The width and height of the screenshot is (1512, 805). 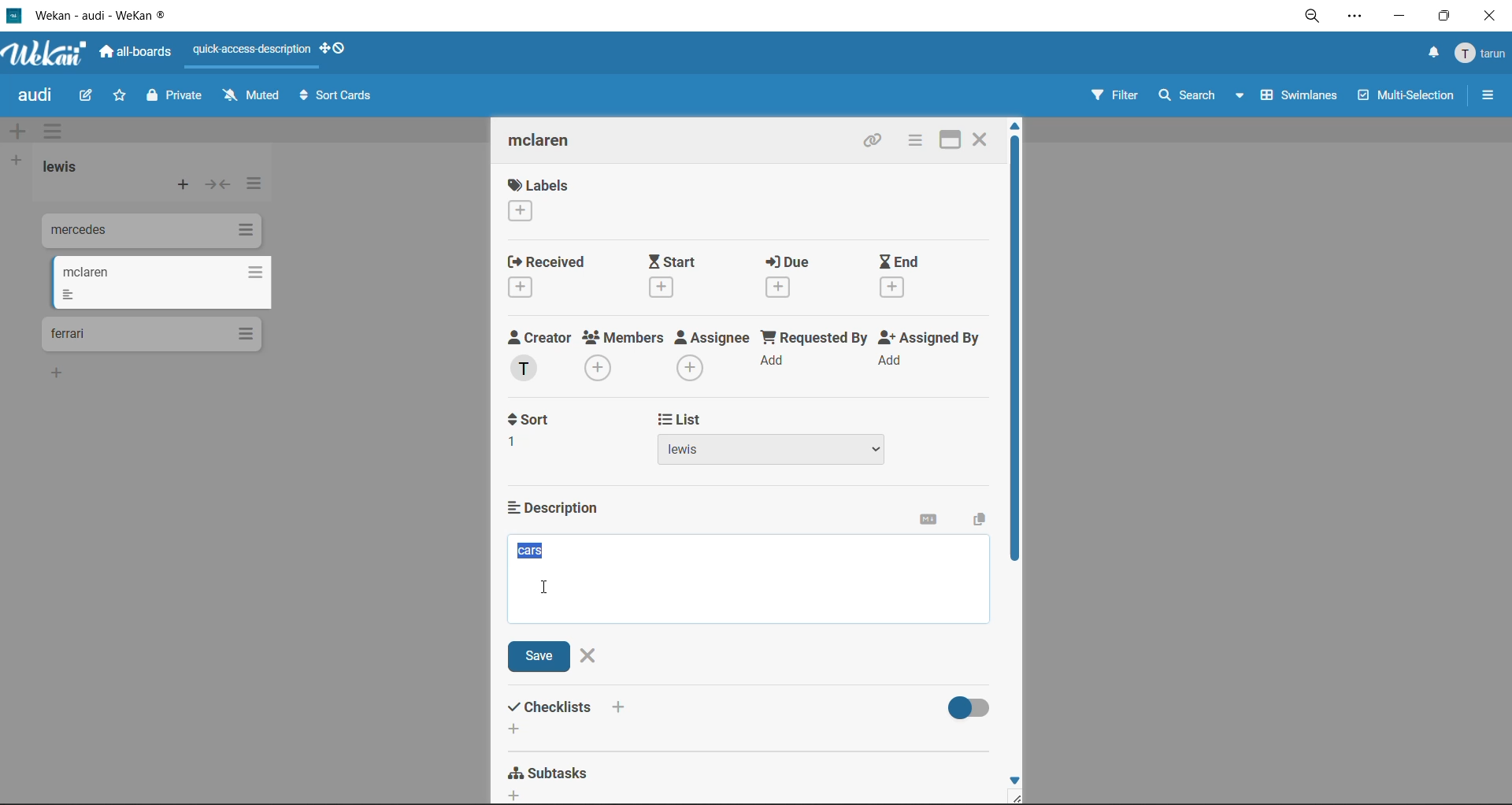 What do you see at coordinates (86, 97) in the screenshot?
I see `edit` at bounding box center [86, 97].